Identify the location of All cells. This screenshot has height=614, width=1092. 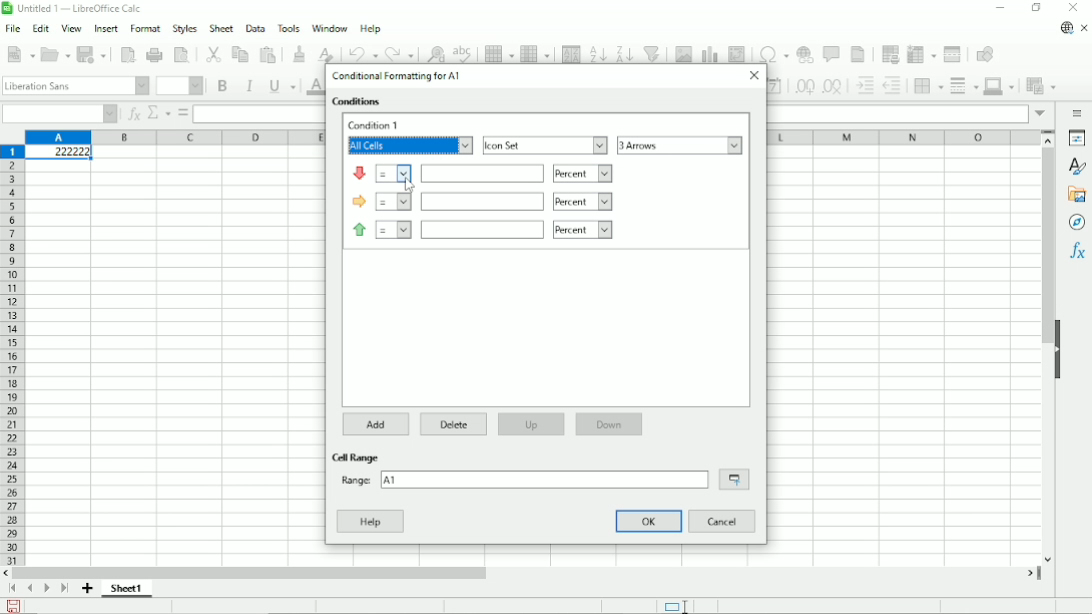
(409, 146).